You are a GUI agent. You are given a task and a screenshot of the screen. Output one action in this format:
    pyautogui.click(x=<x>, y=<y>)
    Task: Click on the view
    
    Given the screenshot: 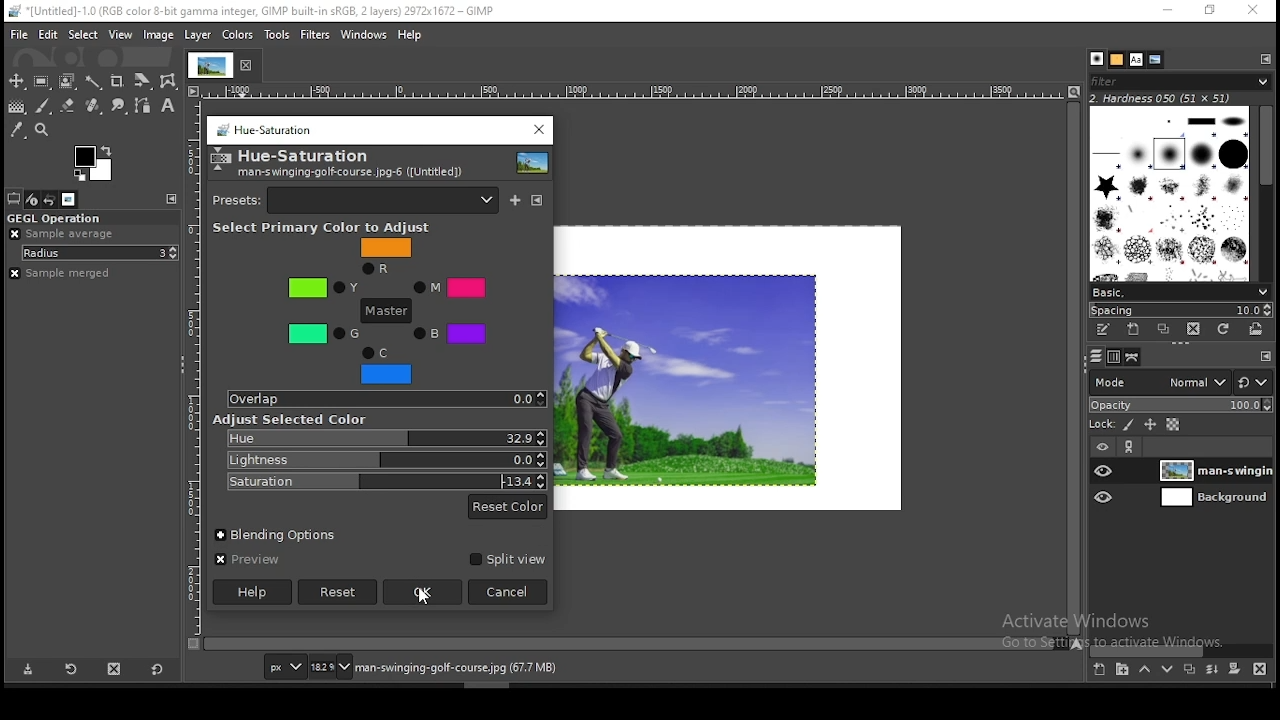 What is the action you would take?
    pyautogui.click(x=120, y=35)
    